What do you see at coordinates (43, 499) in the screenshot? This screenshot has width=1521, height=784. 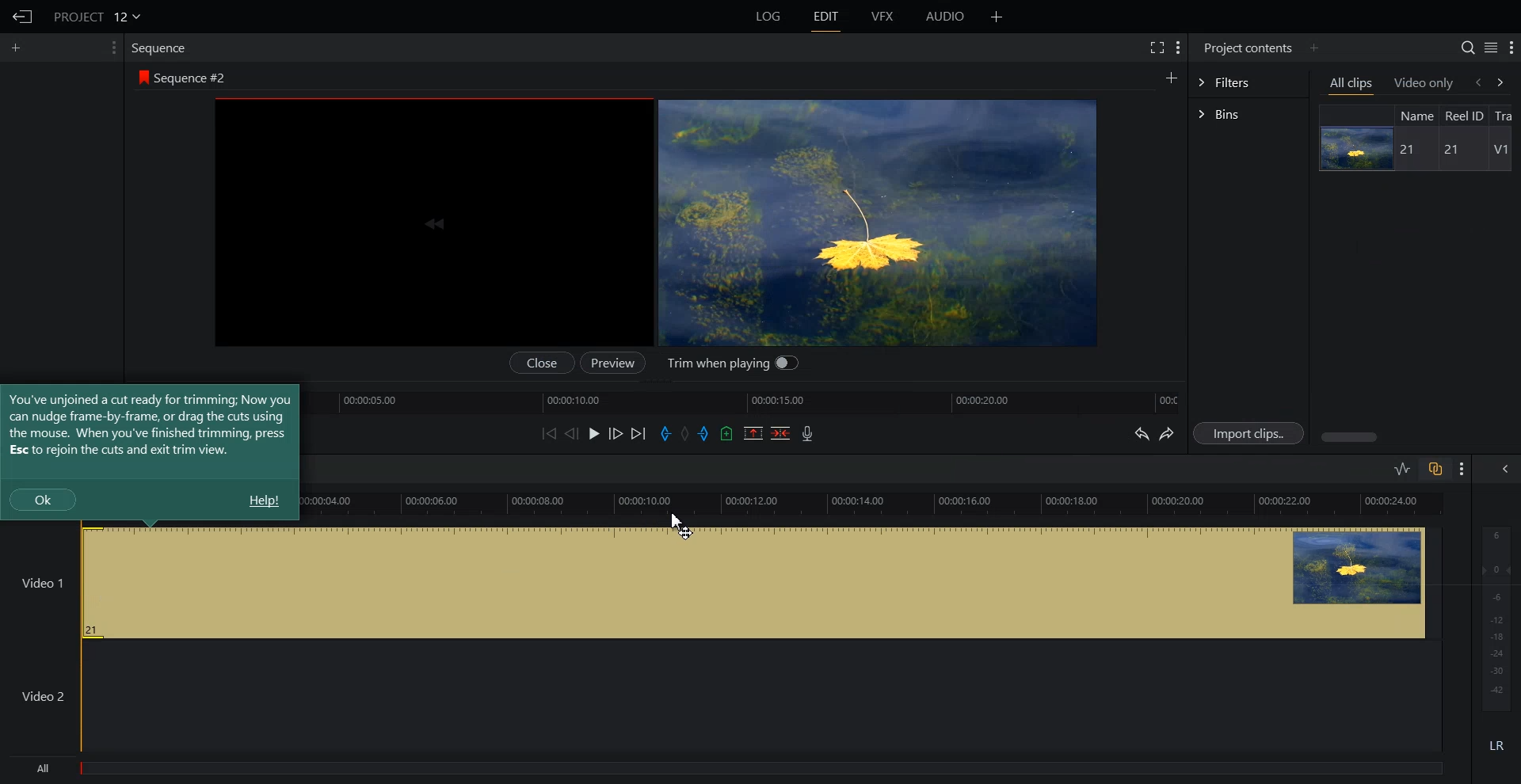 I see `ok` at bounding box center [43, 499].